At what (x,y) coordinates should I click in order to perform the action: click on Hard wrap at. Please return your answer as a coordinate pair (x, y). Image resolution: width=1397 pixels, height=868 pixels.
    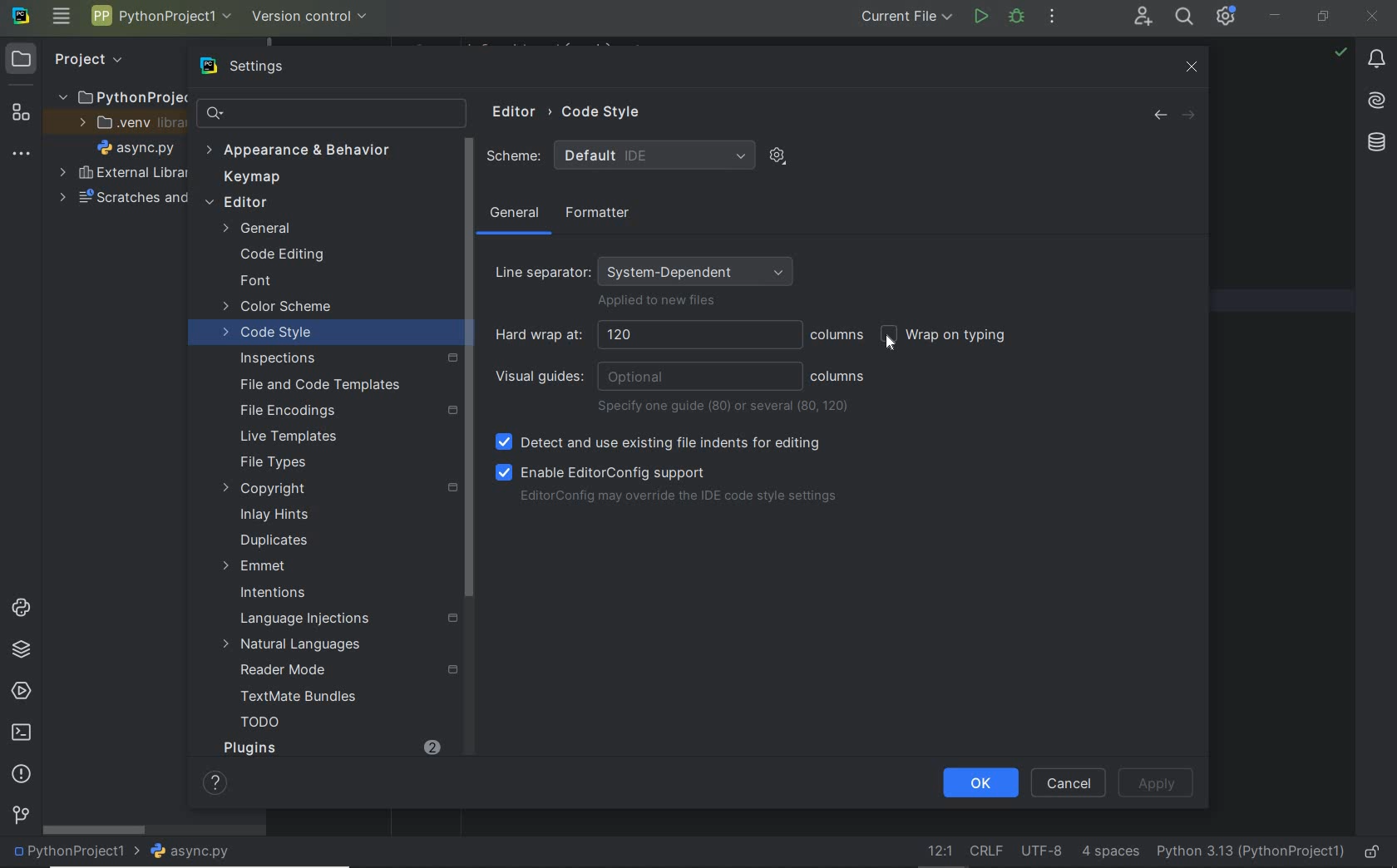
    Looking at the image, I should click on (646, 335).